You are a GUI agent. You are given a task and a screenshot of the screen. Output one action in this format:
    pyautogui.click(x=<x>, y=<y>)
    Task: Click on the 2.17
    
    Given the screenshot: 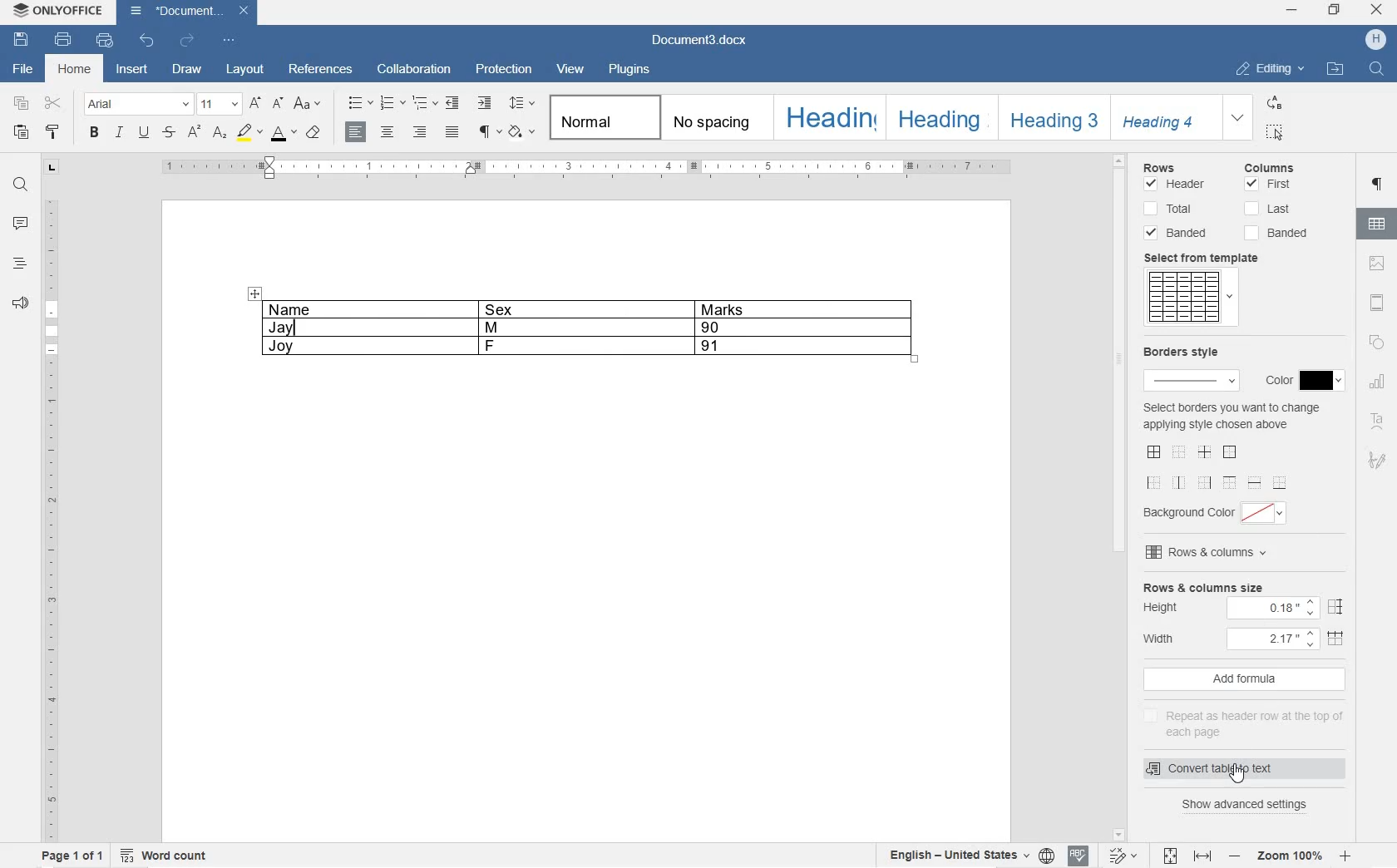 What is the action you would take?
    pyautogui.click(x=1275, y=640)
    